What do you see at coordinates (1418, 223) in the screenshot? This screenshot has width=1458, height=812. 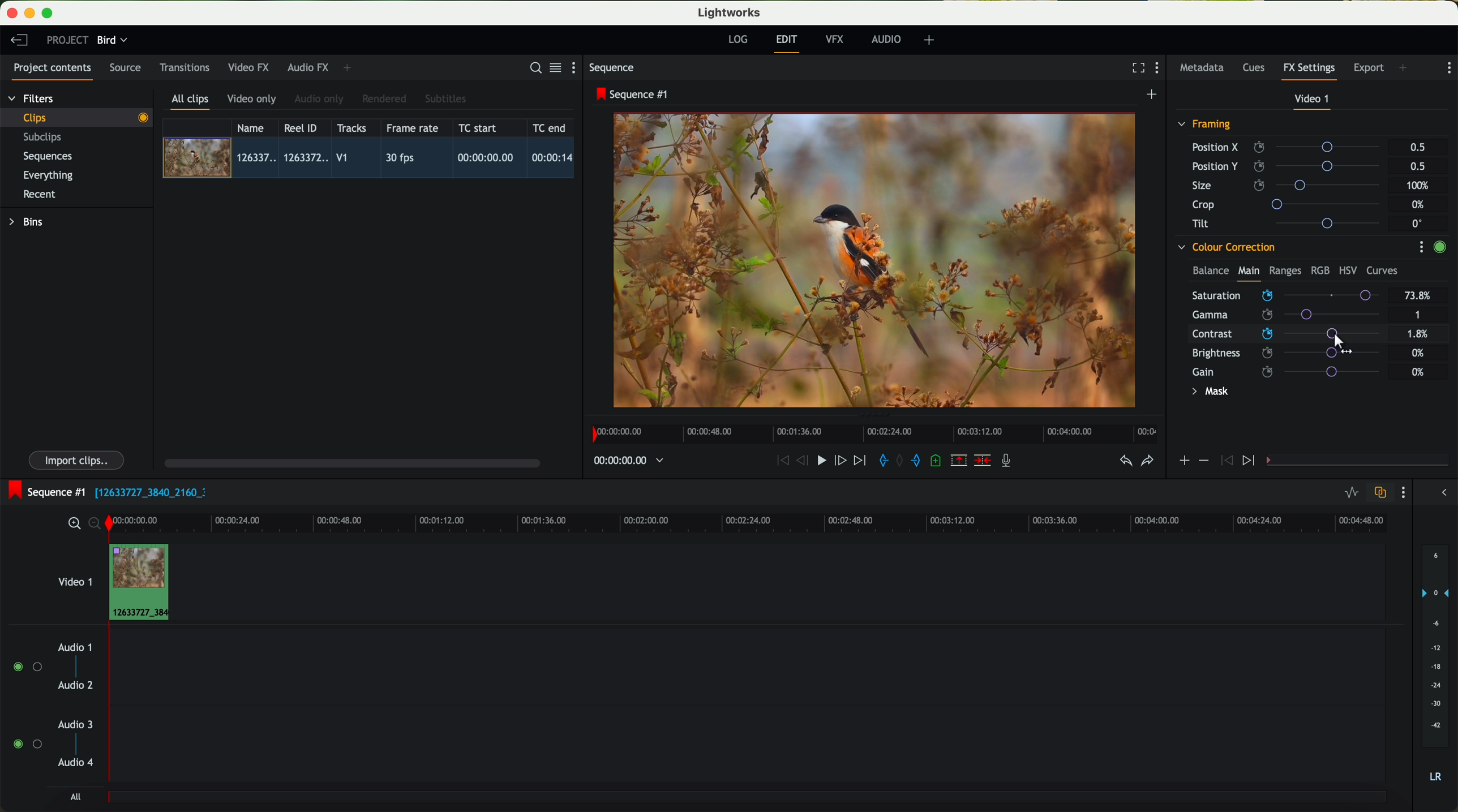 I see `0°` at bounding box center [1418, 223].